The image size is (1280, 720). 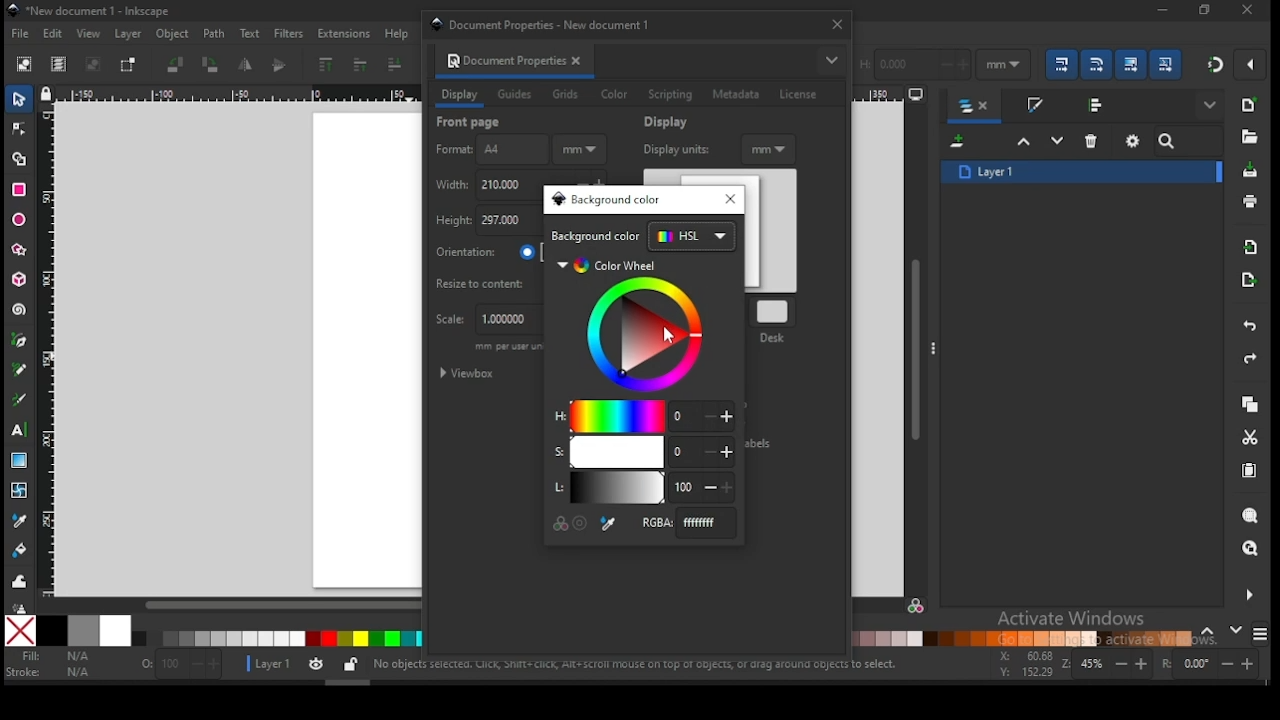 What do you see at coordinates (634, 326) in the screenshot?
I see `color wheel` at bounding box center [634, 326].